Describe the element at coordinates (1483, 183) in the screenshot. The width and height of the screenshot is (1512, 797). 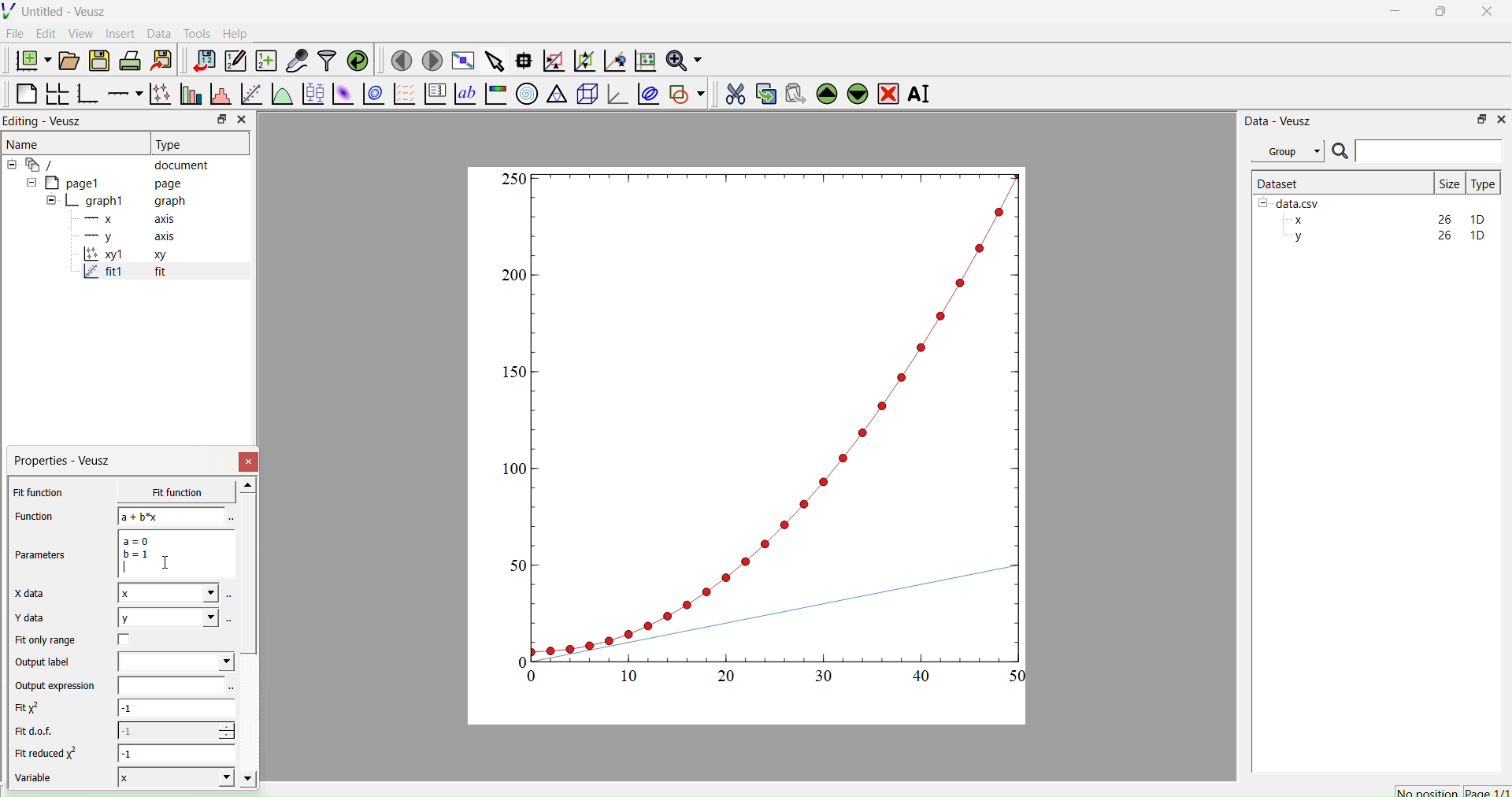
I see `Type` at that location.